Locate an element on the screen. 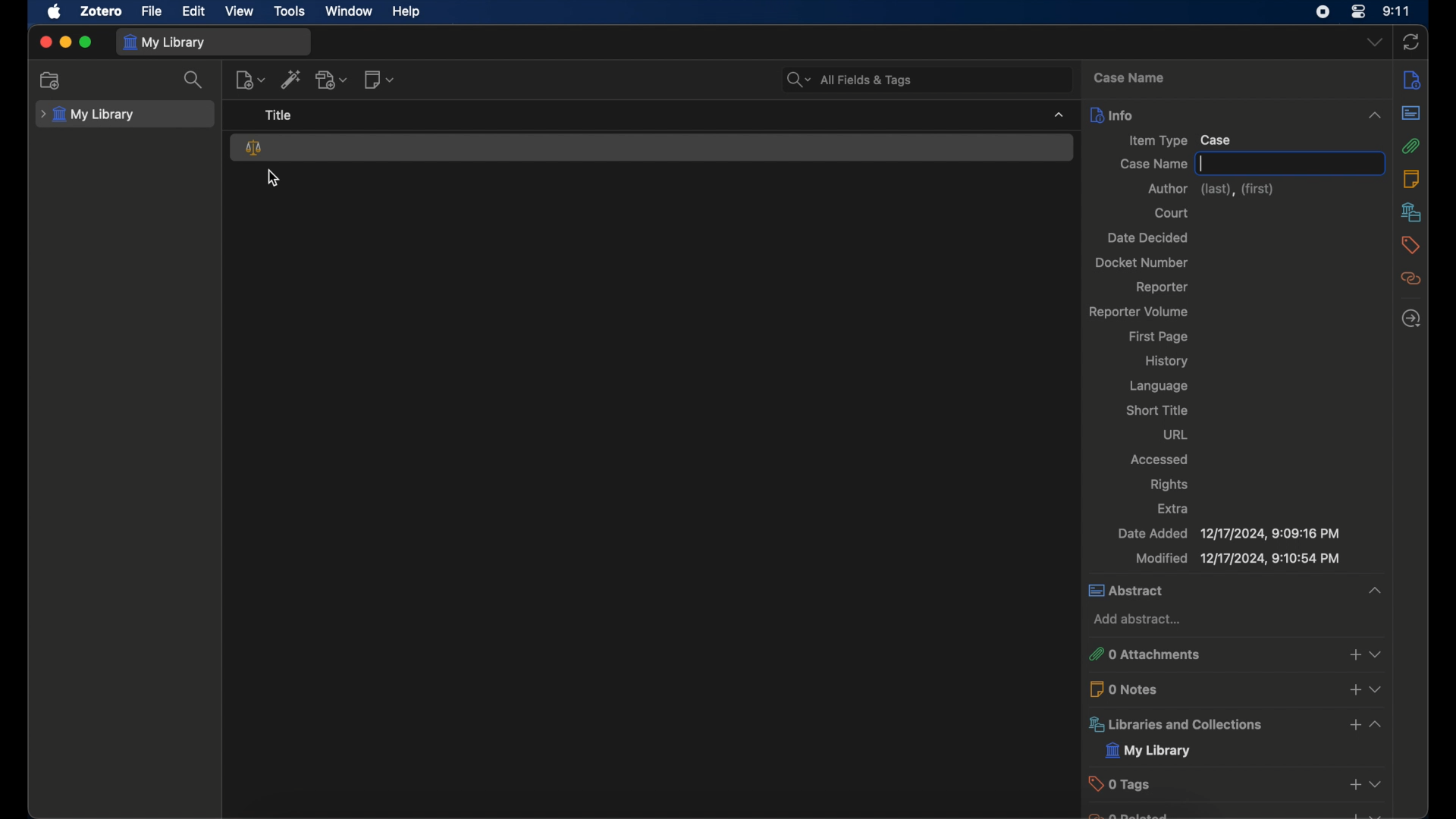  info is located at coordinates (1239, 113).